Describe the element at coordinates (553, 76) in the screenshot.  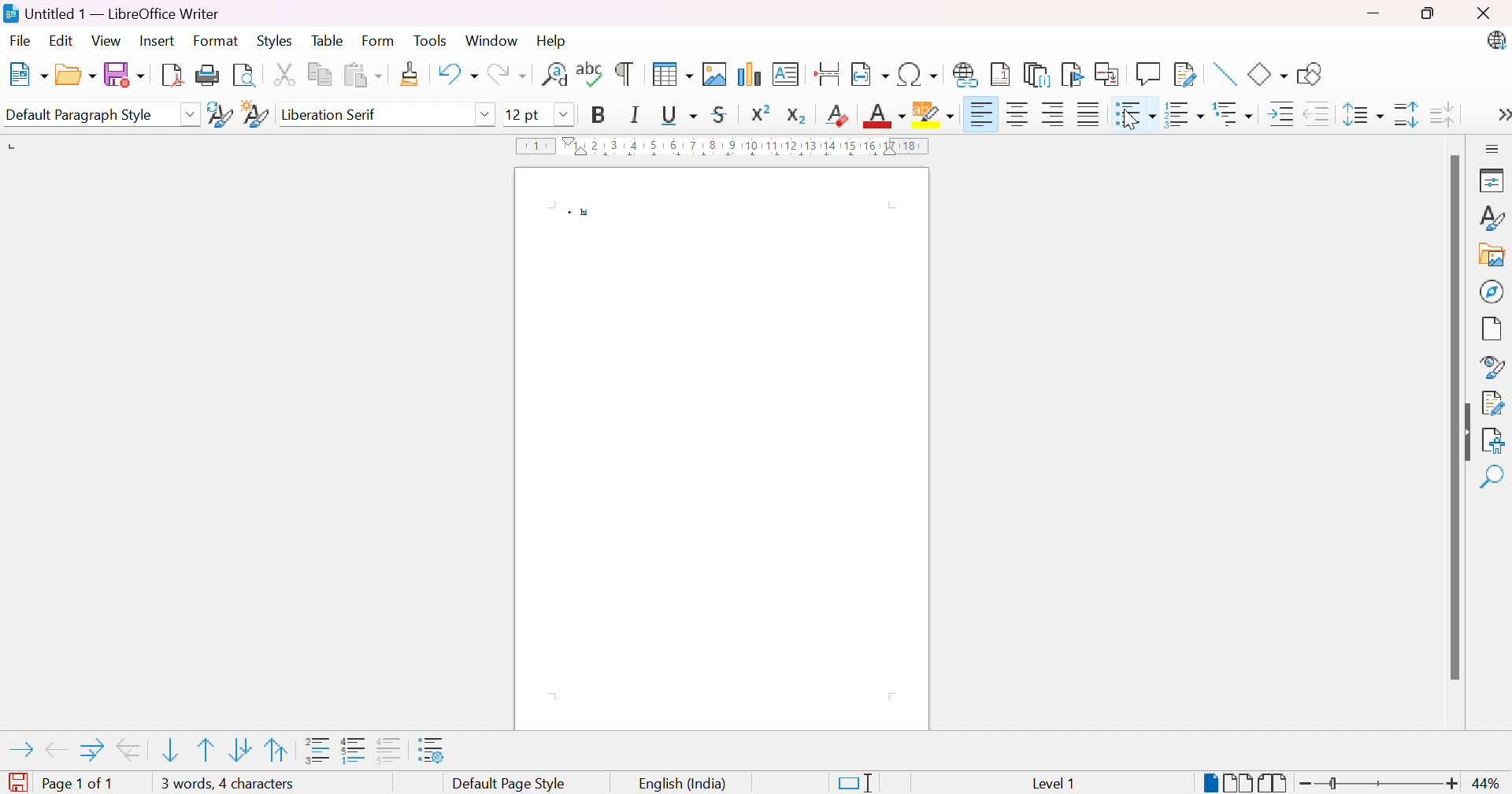
I see `Find and replace` at that location.